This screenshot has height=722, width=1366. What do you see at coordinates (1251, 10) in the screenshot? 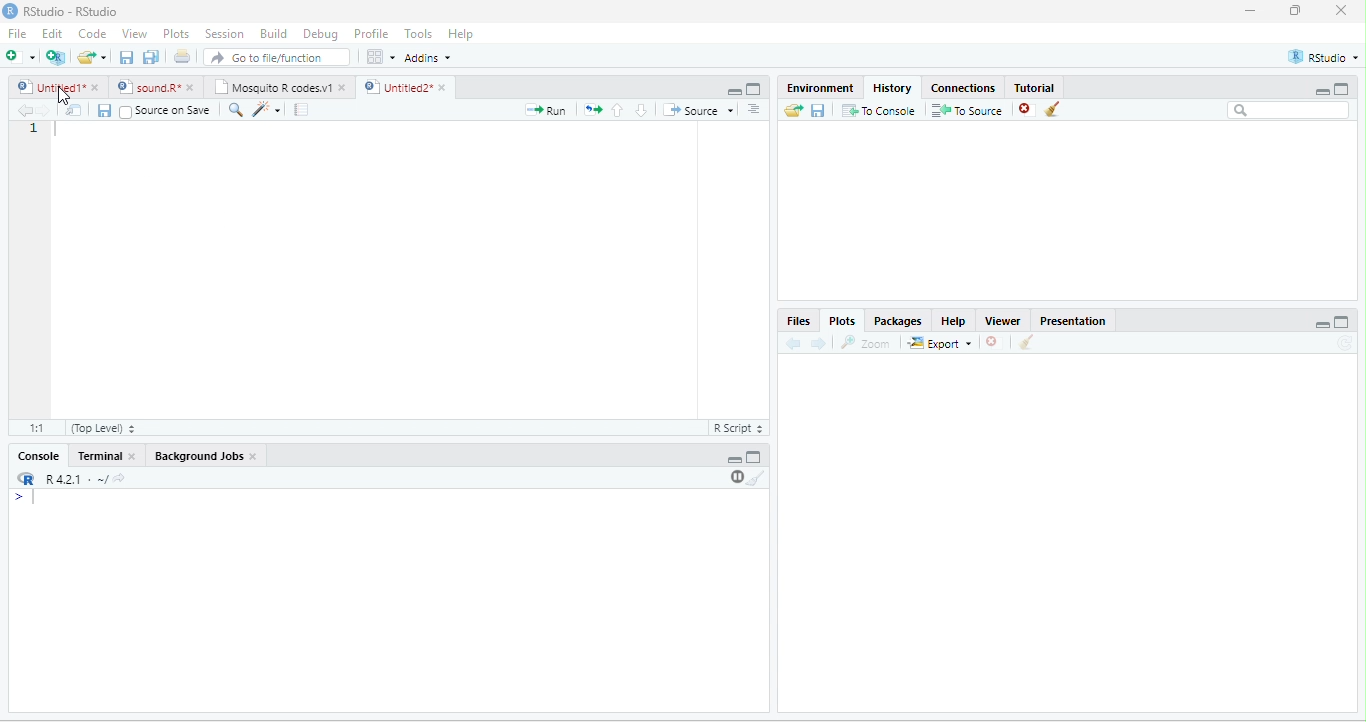
I see `minimize` at bounding box center [1251, 10].